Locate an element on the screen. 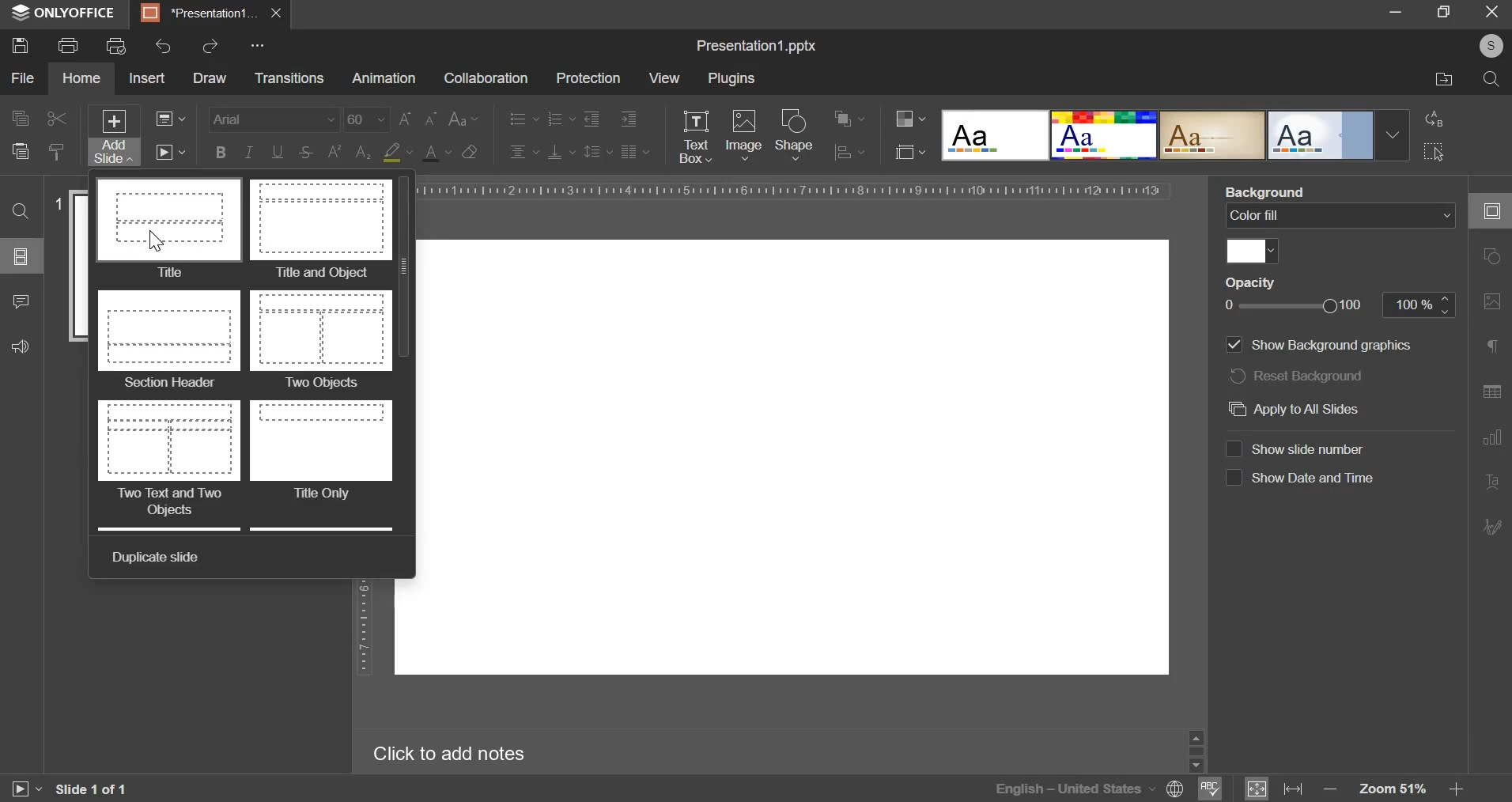  strikethrough is located at coordinates (304, 153).